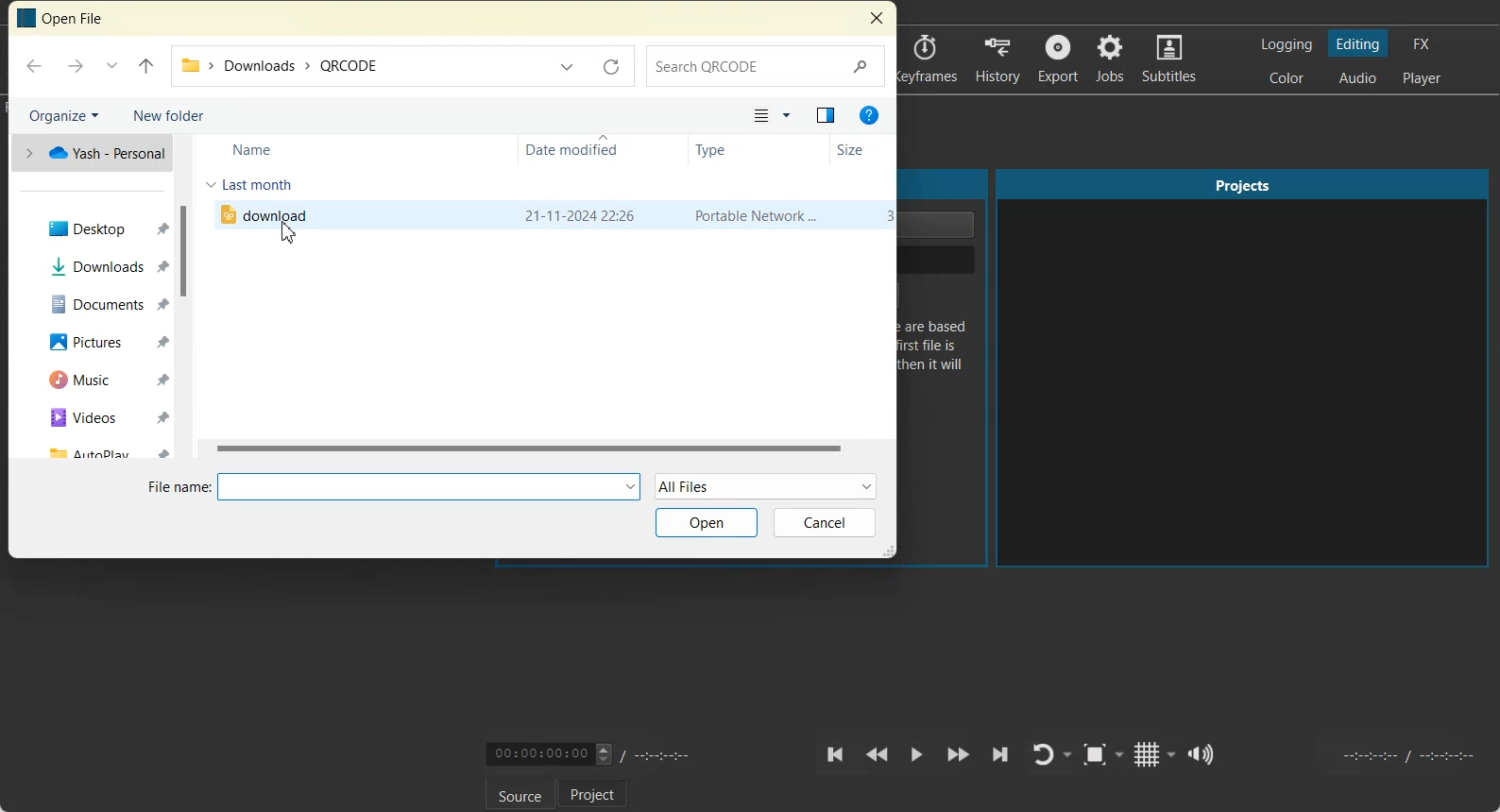  What do you see at coordinates (1051, 755) in the screenshot?
I see `Toggle Player looping` at bounding box center [1051, 755].